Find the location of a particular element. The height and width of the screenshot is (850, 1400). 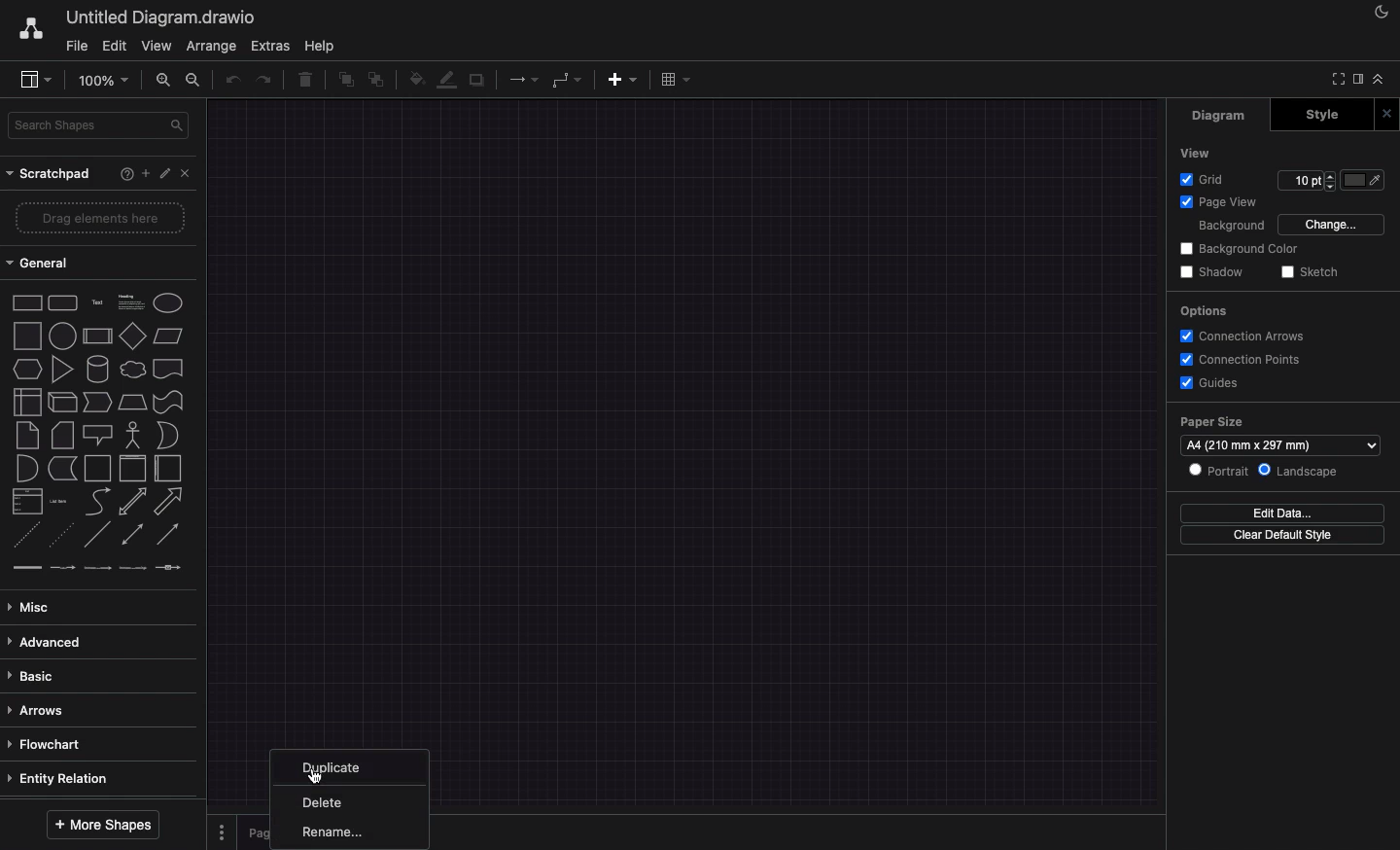

help is located at coordinates (126, 174).